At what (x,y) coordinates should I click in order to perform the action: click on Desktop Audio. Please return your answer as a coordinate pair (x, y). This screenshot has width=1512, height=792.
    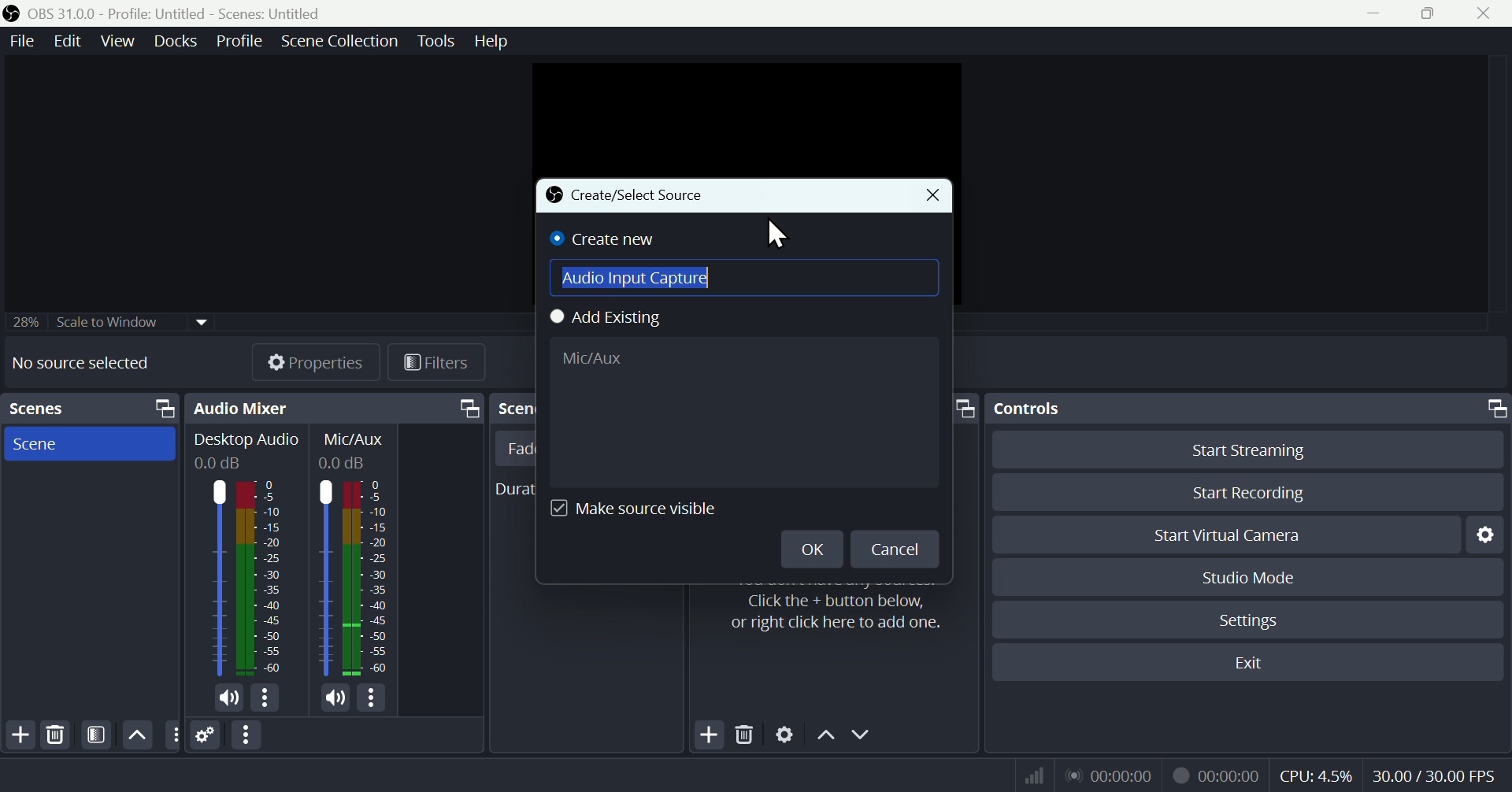
    Looking at the image, I should click on (215, 579).